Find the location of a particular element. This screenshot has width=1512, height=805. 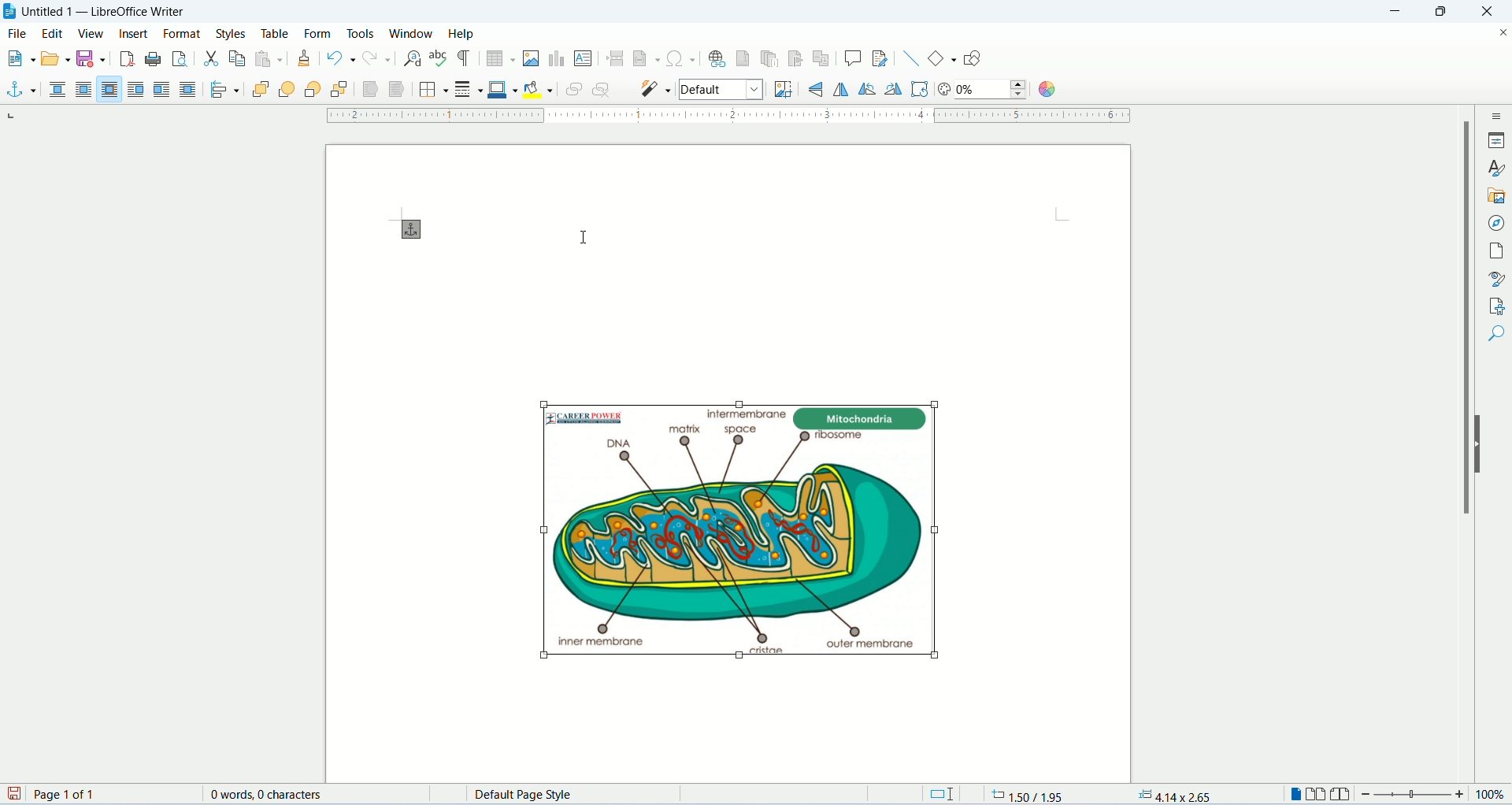

rotate right is located at coordinates (895, 90).